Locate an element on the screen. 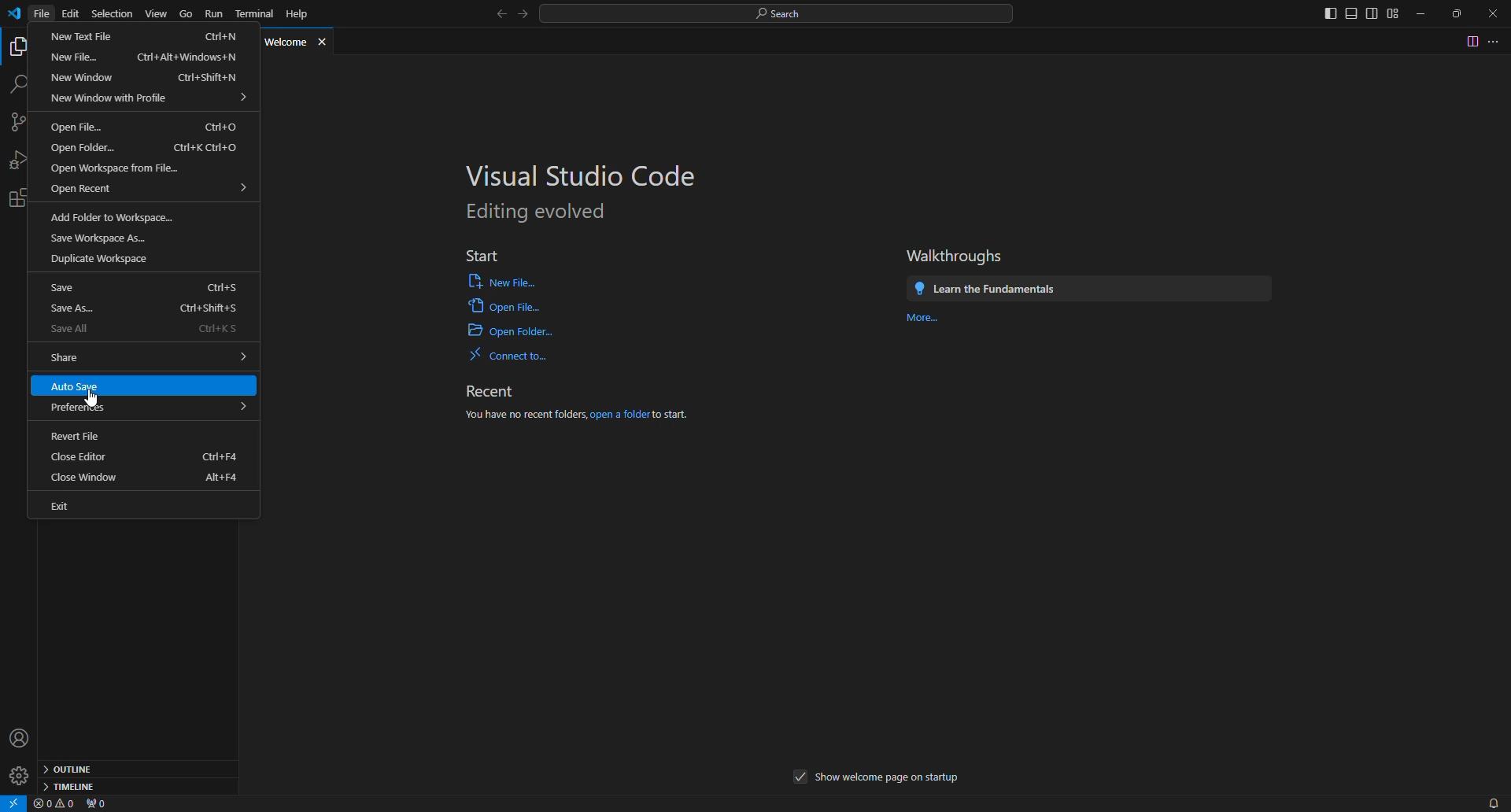 This screenshot has width=1511, height=812. go back is located at coordinates (503, 16).